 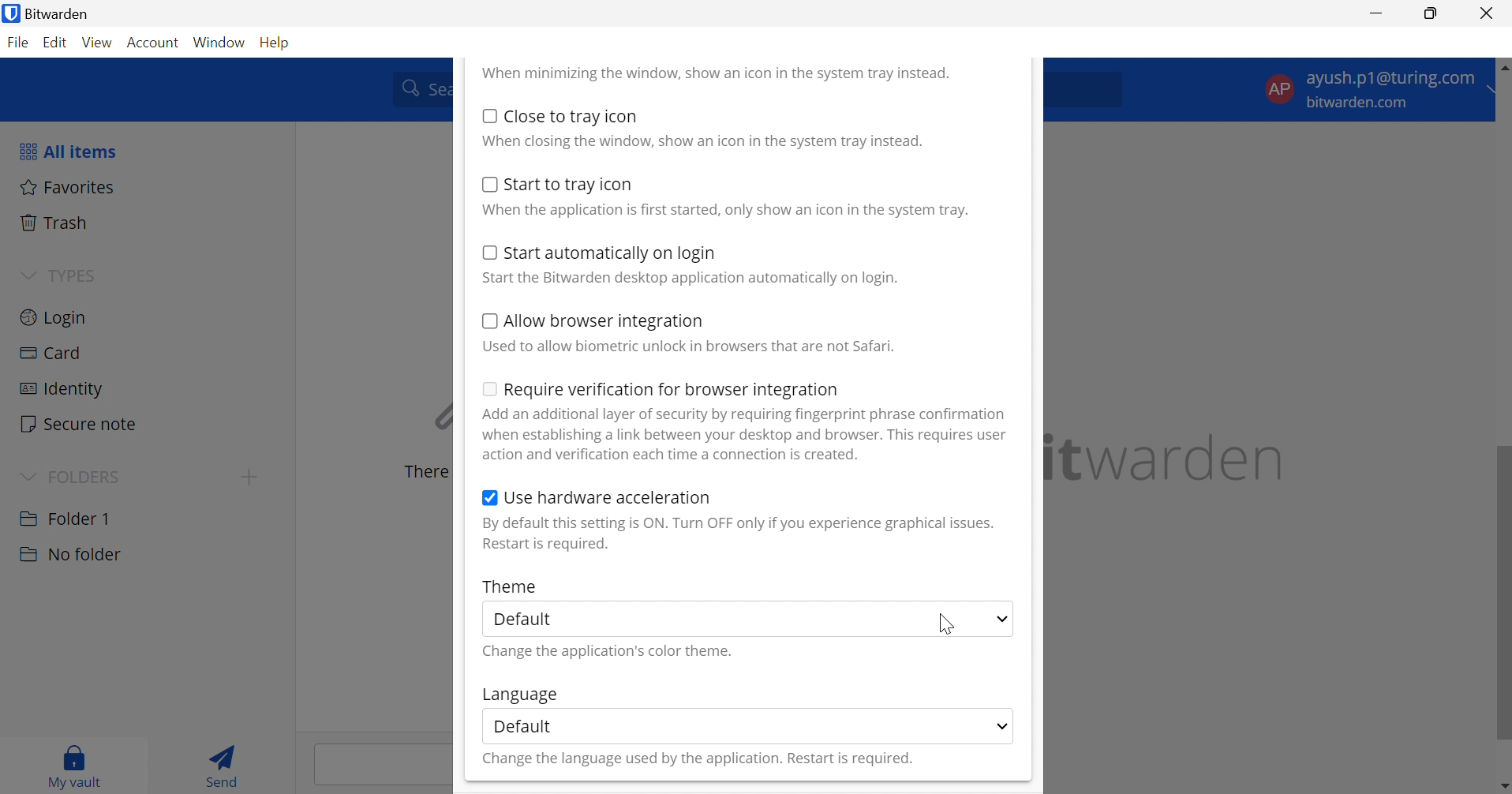 I want to click on Theme, so click(x=511, y=586).